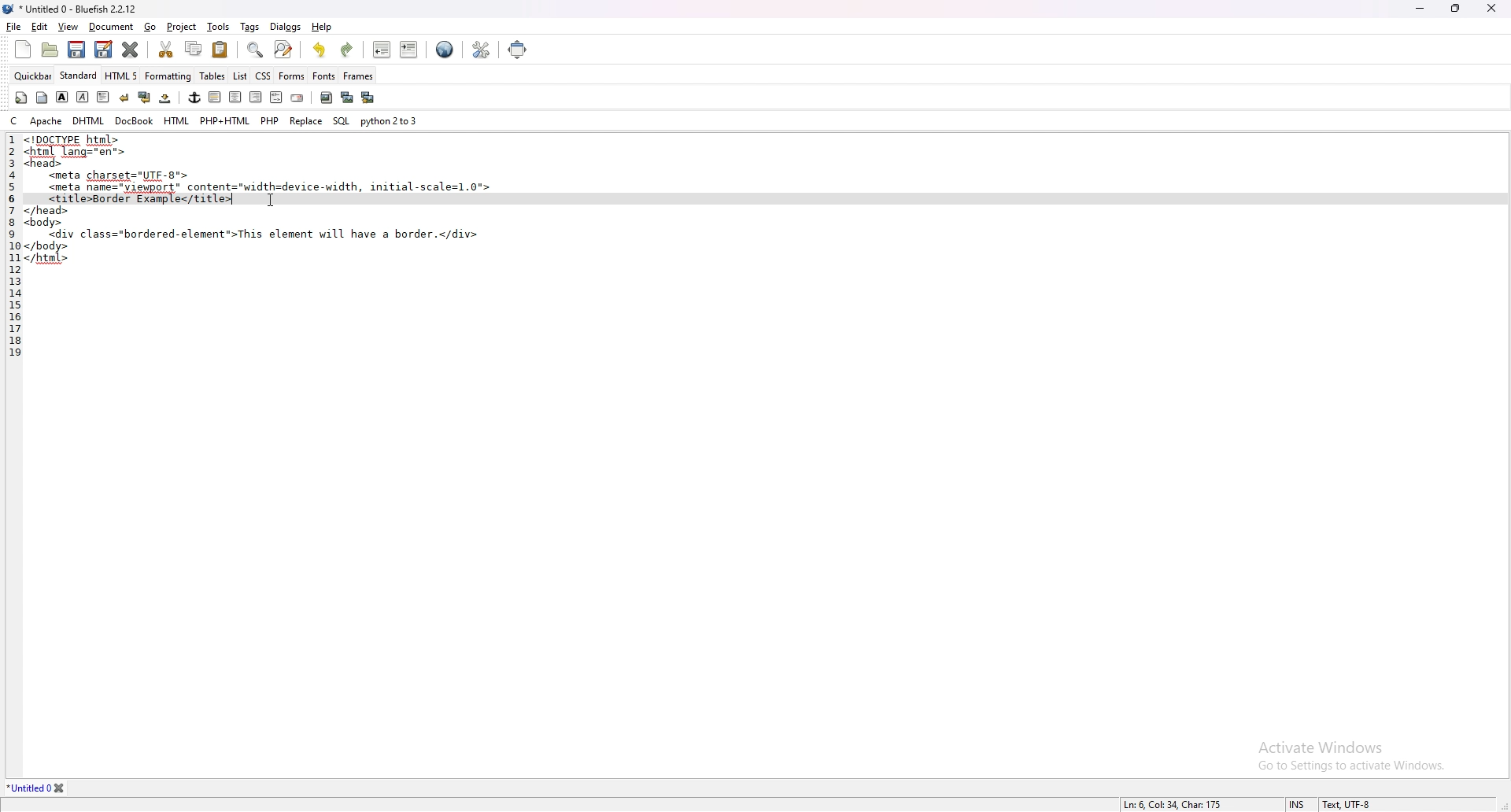 The height and width of the screenshot is (812, 1511). I want to click on edit preference, so click(478, 50).